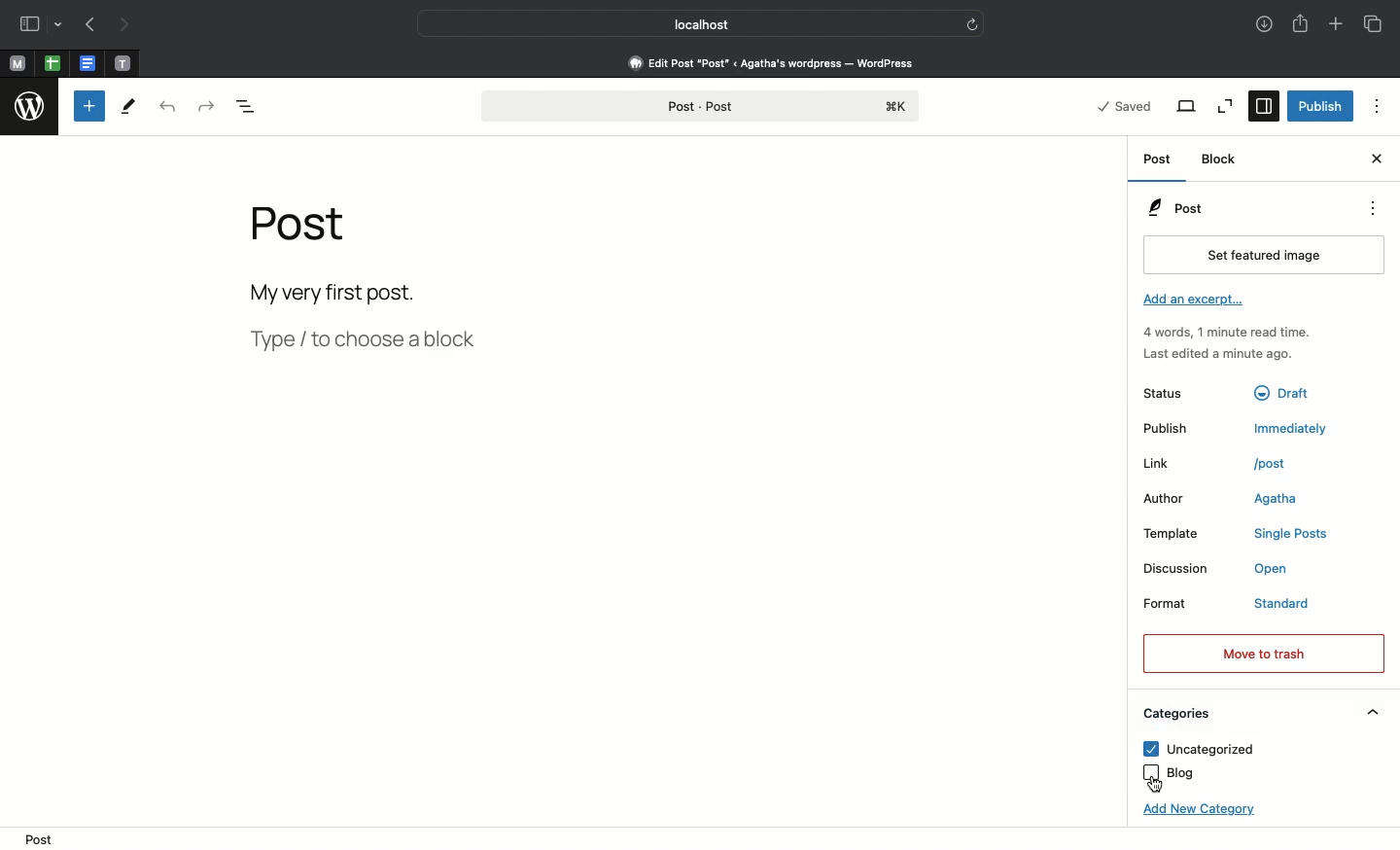 This screenshot has height=850, width=1400. I want to click on Post, so click(1158, 159).